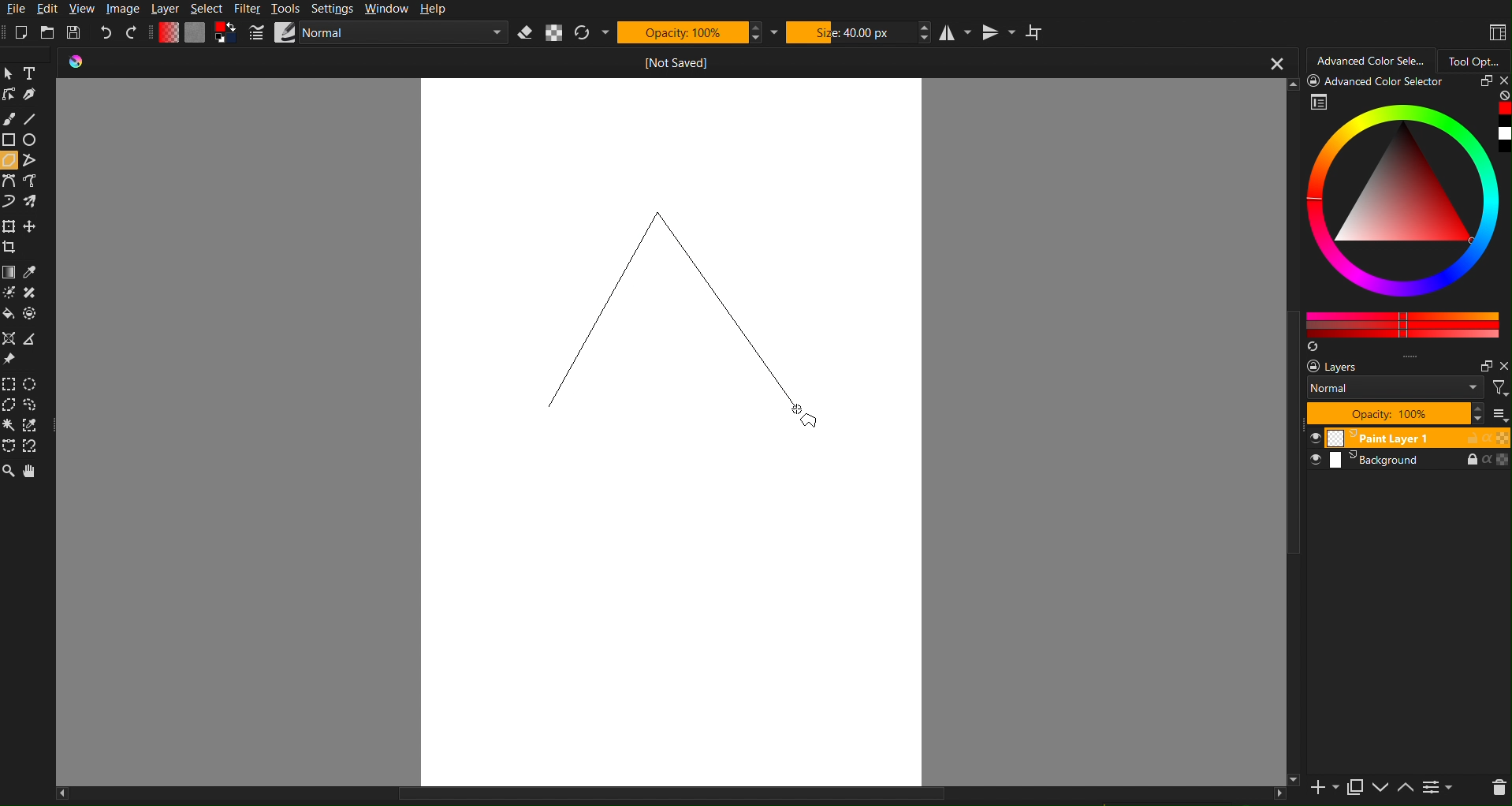  What do you see at coordinates (1380, 84) in the screenshot?
I see `Advanced Color Selector` at bounding box center [1380, 84].